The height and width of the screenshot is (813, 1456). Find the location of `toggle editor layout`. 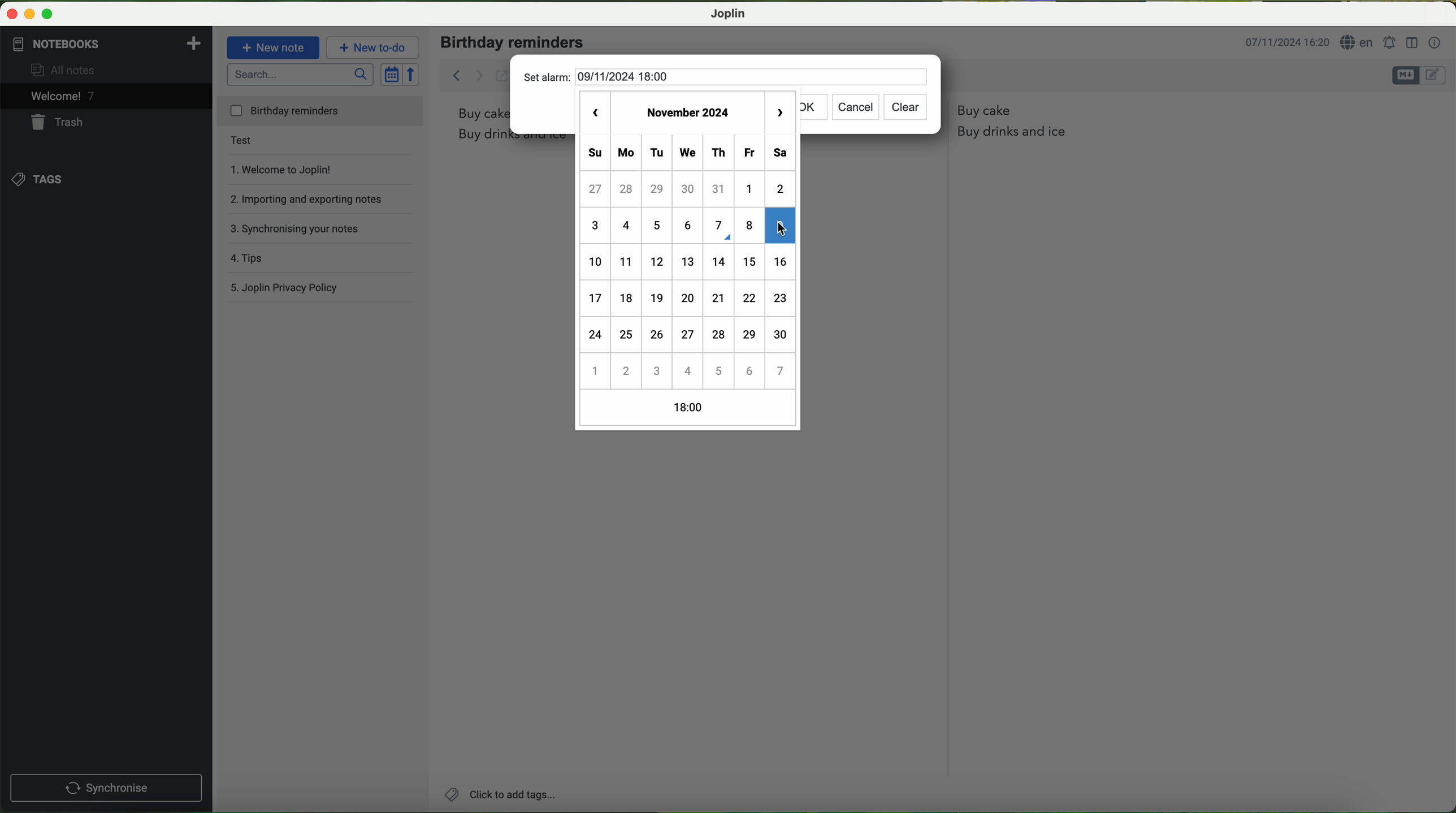

toggle editor layout is located at coordinates (1409, 41).